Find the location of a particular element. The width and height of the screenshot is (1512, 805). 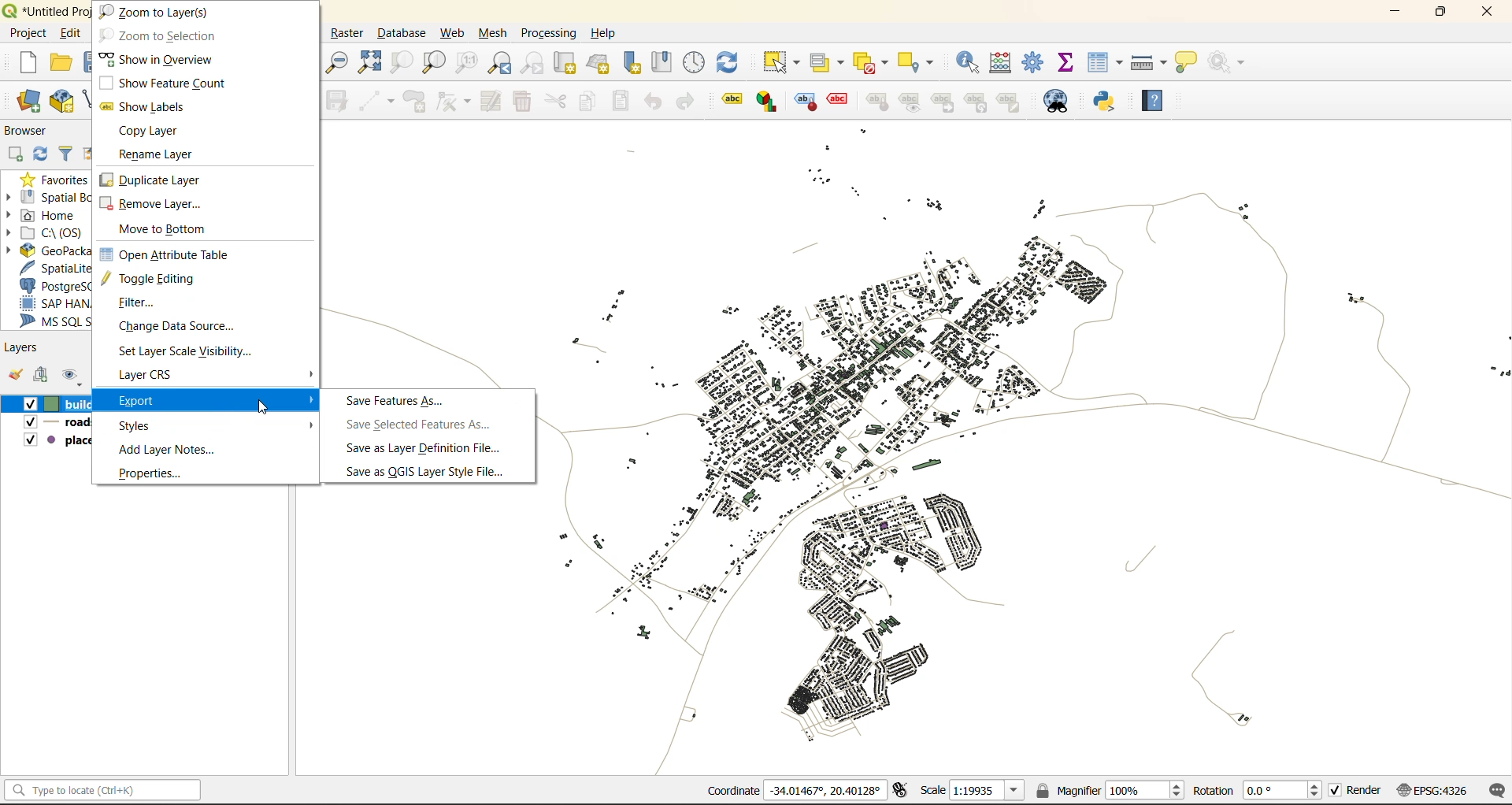

calculator is located at coordinates (1002, 65).